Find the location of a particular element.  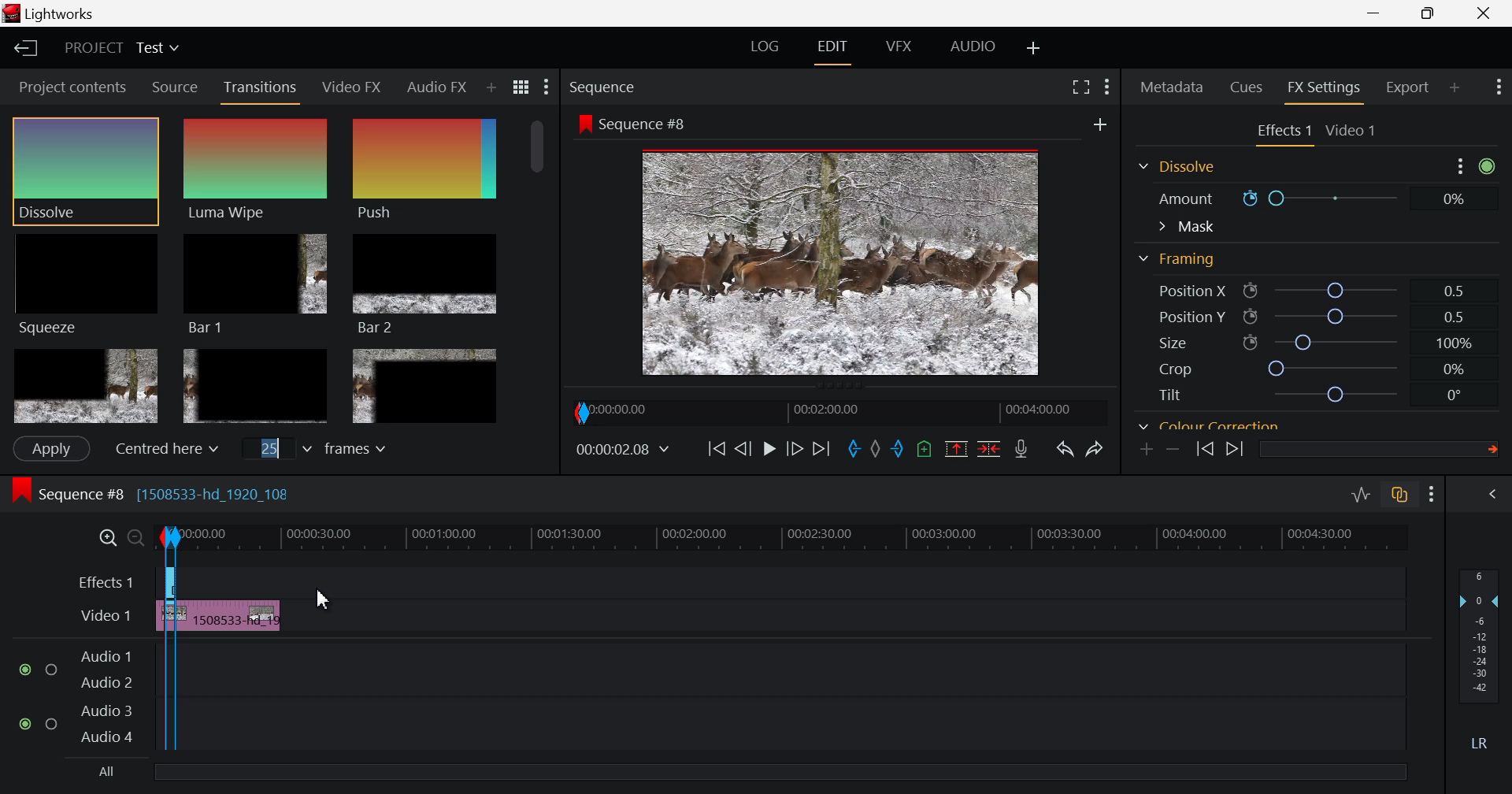

Framing Section is located at coordinates (1177, 168).